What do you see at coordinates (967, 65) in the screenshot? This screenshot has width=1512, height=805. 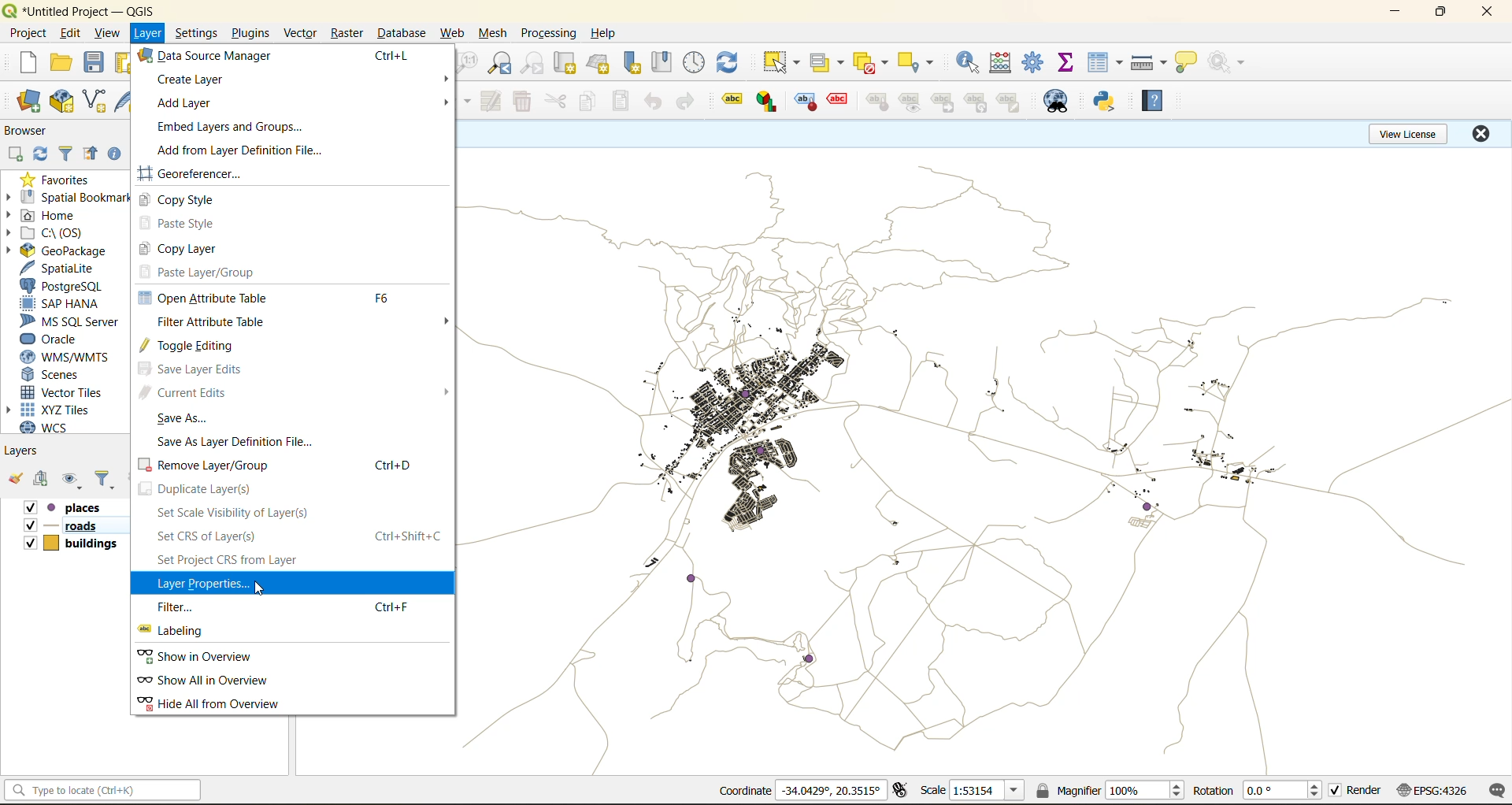 I see `identify features` at bounding box center [967, 65].